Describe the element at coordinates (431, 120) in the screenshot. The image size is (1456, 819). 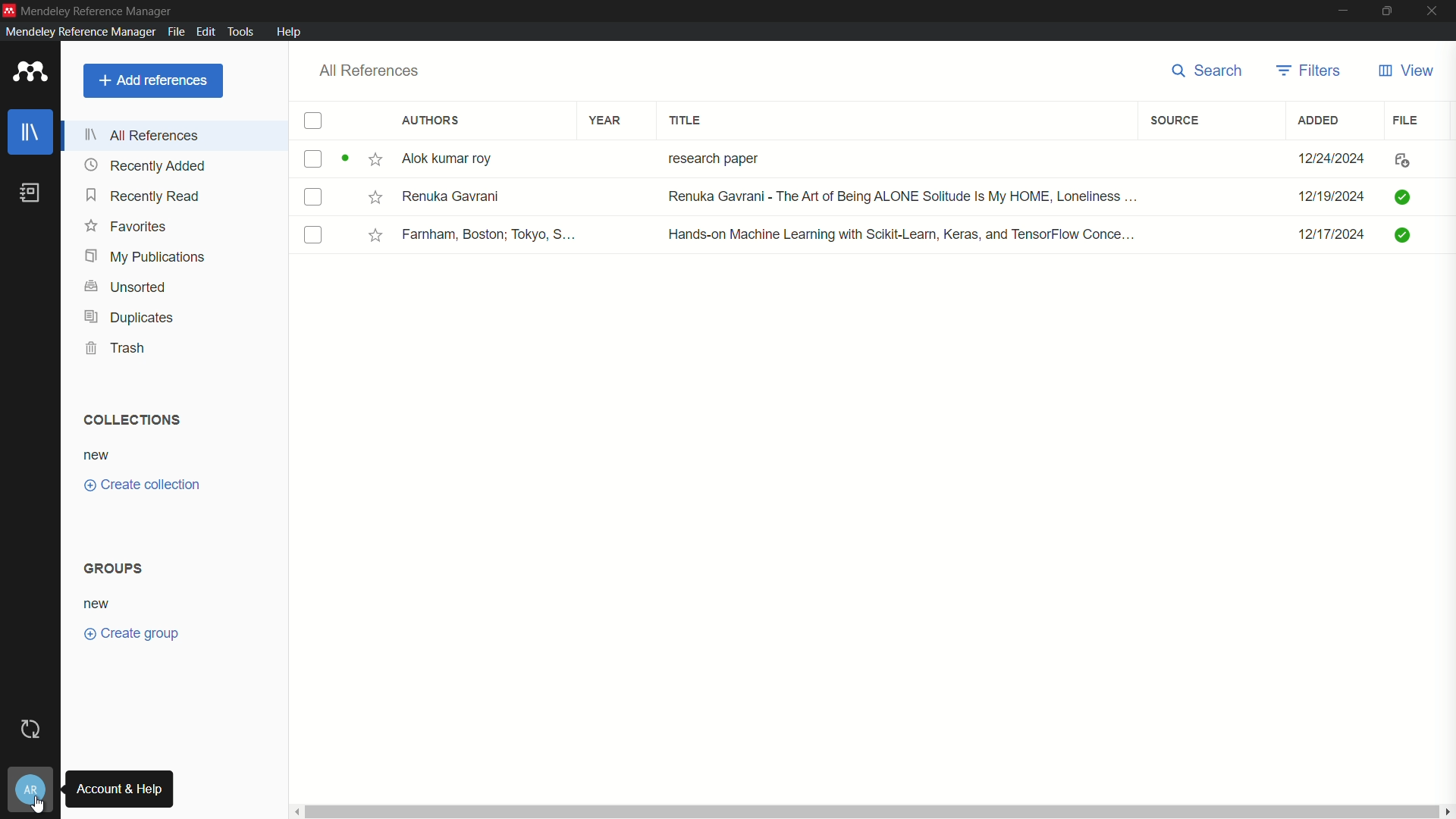
I see `authors` at that location.